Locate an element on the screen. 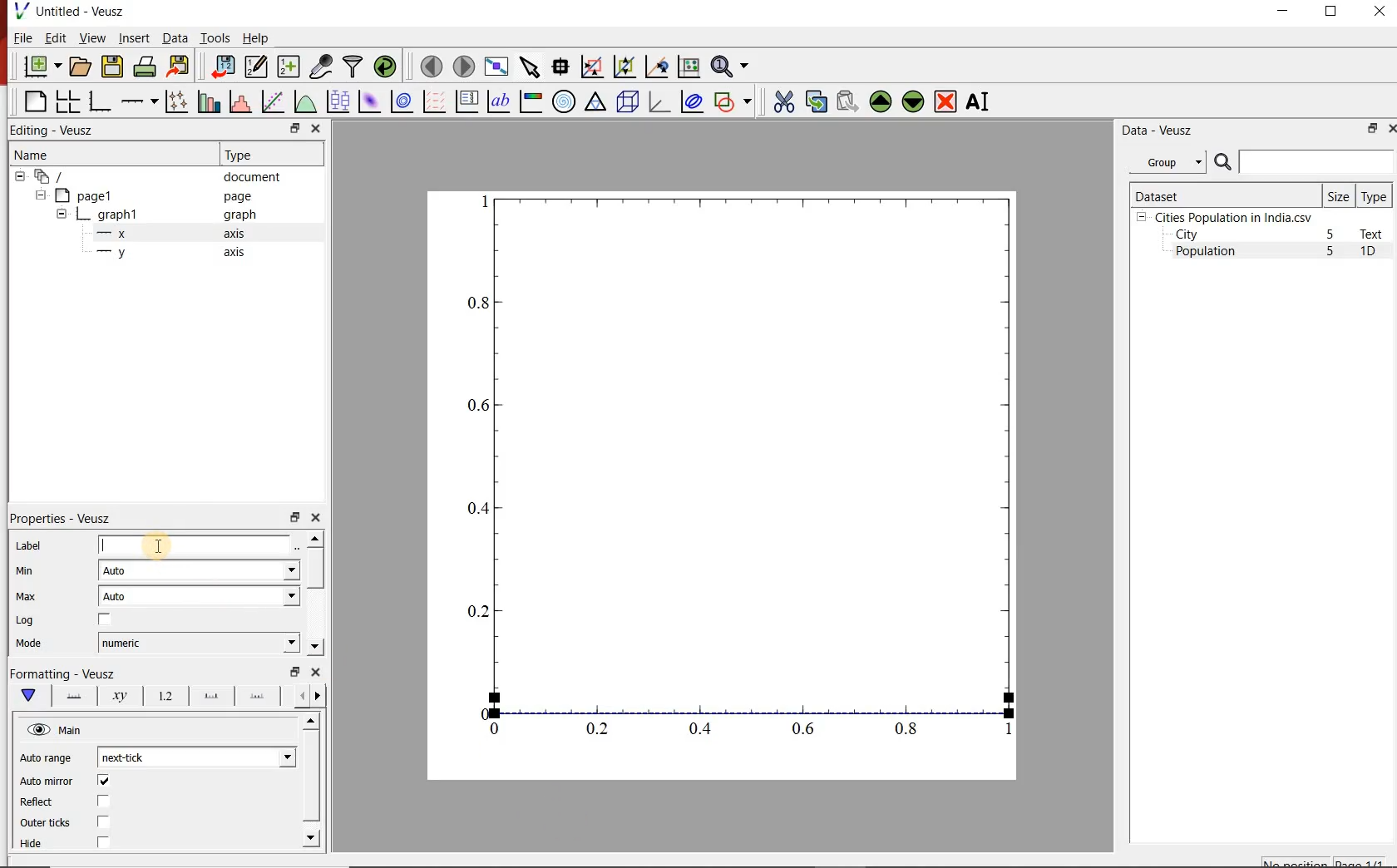 This screenshot has width=1397, height=868. read data points on the graph is located at coordinates (560, 65).